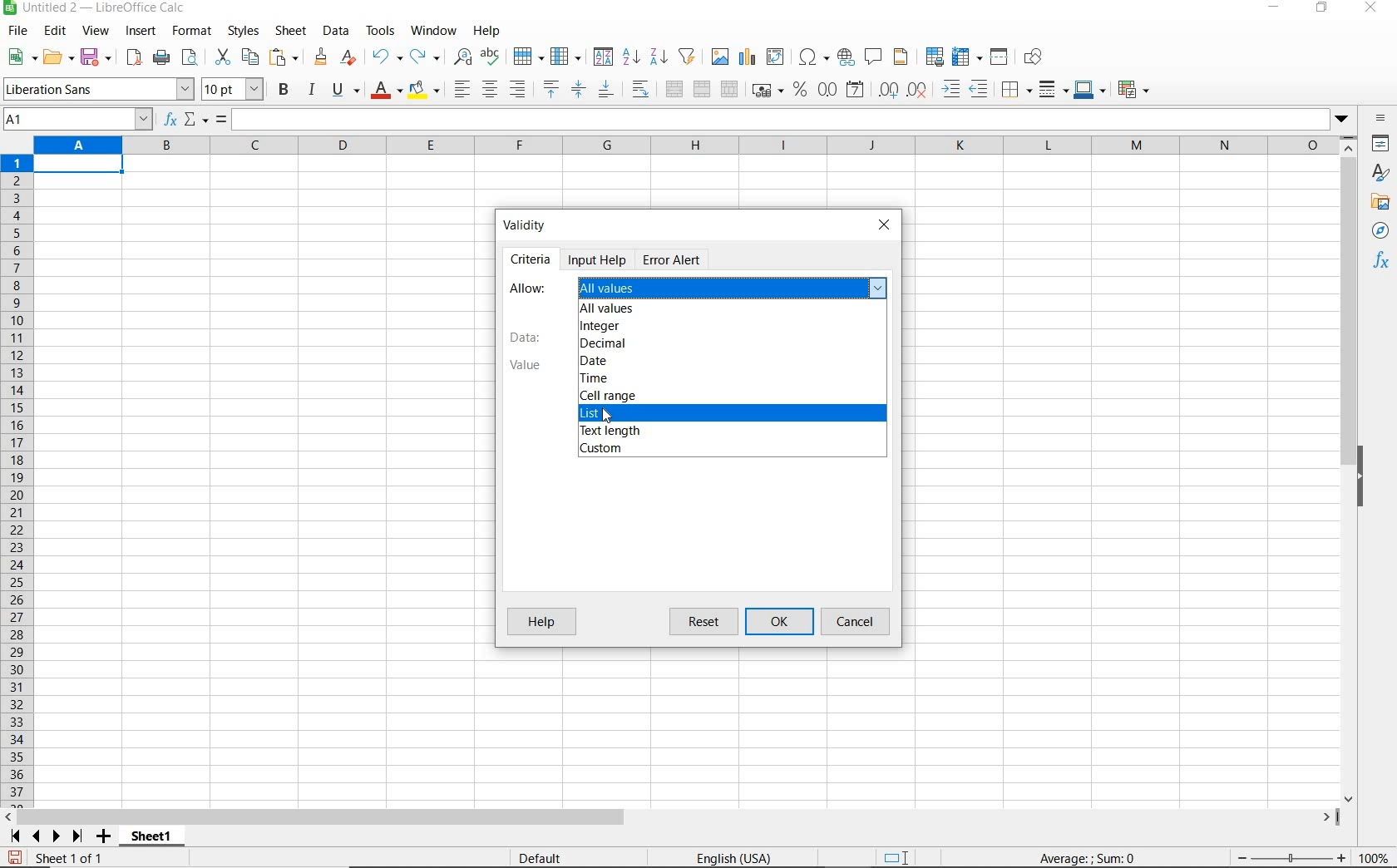 This screenshot has height=868, width=1397. What do you see at coordinates (222, 57) in the screenshot?
I see `cut` at bounding box center [222, 57].